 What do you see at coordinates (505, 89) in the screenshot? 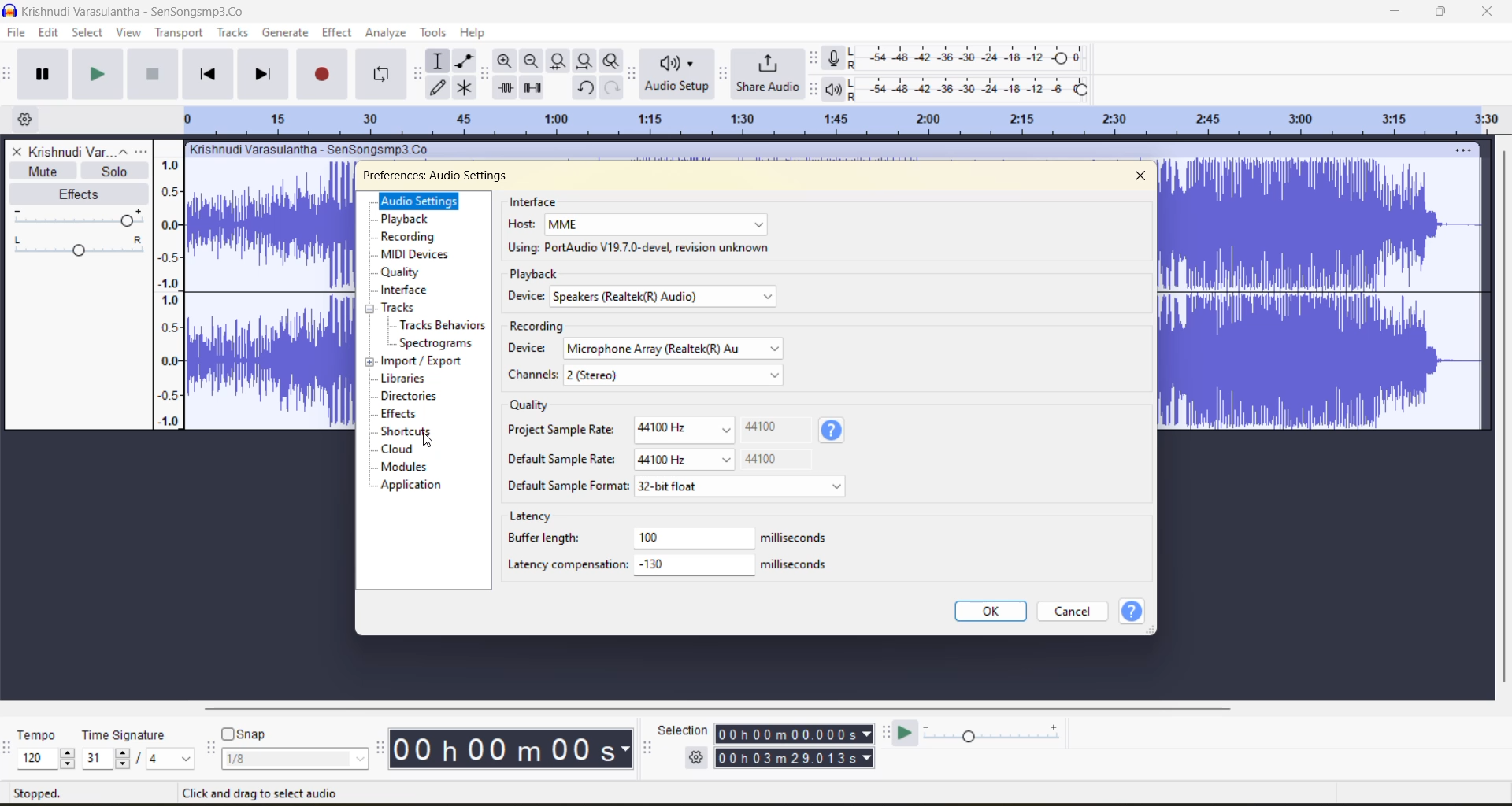
I see `trim audio outside selection` at bounding box center [505, 89].